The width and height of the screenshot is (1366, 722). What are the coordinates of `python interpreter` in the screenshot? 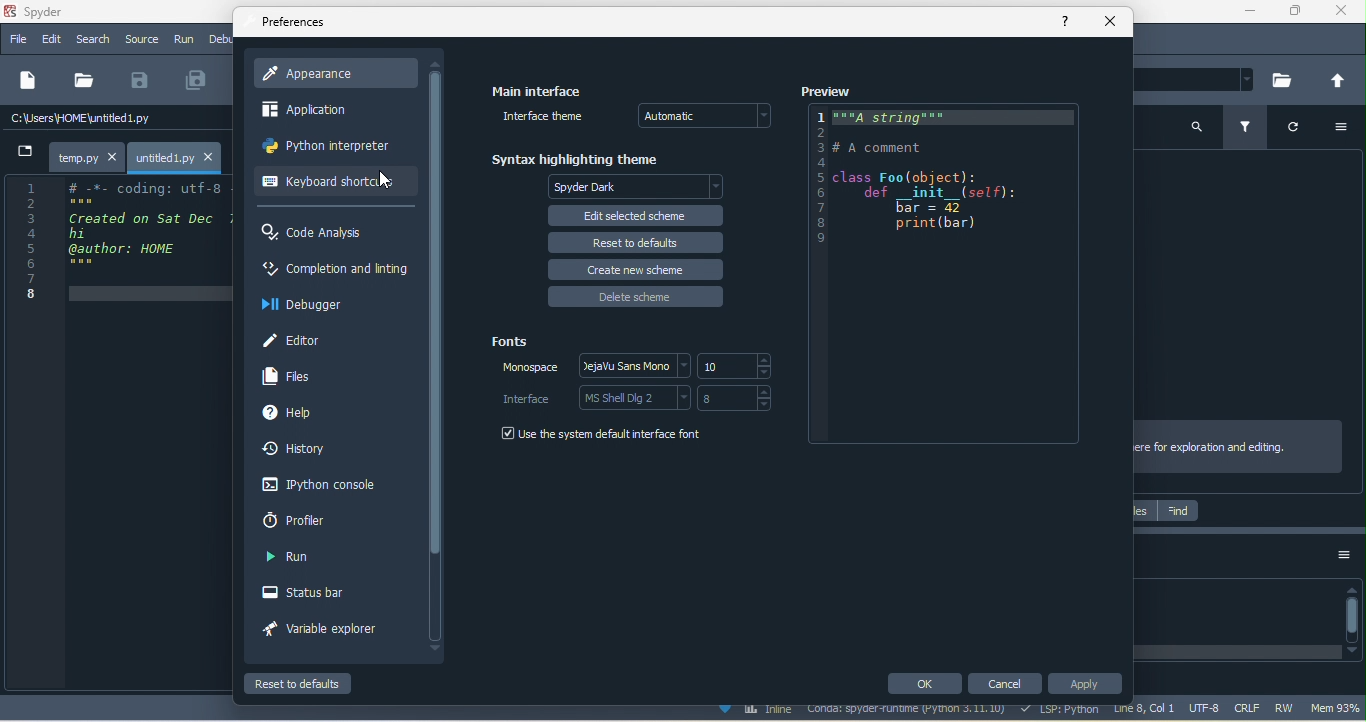 It's located at (329, 145).